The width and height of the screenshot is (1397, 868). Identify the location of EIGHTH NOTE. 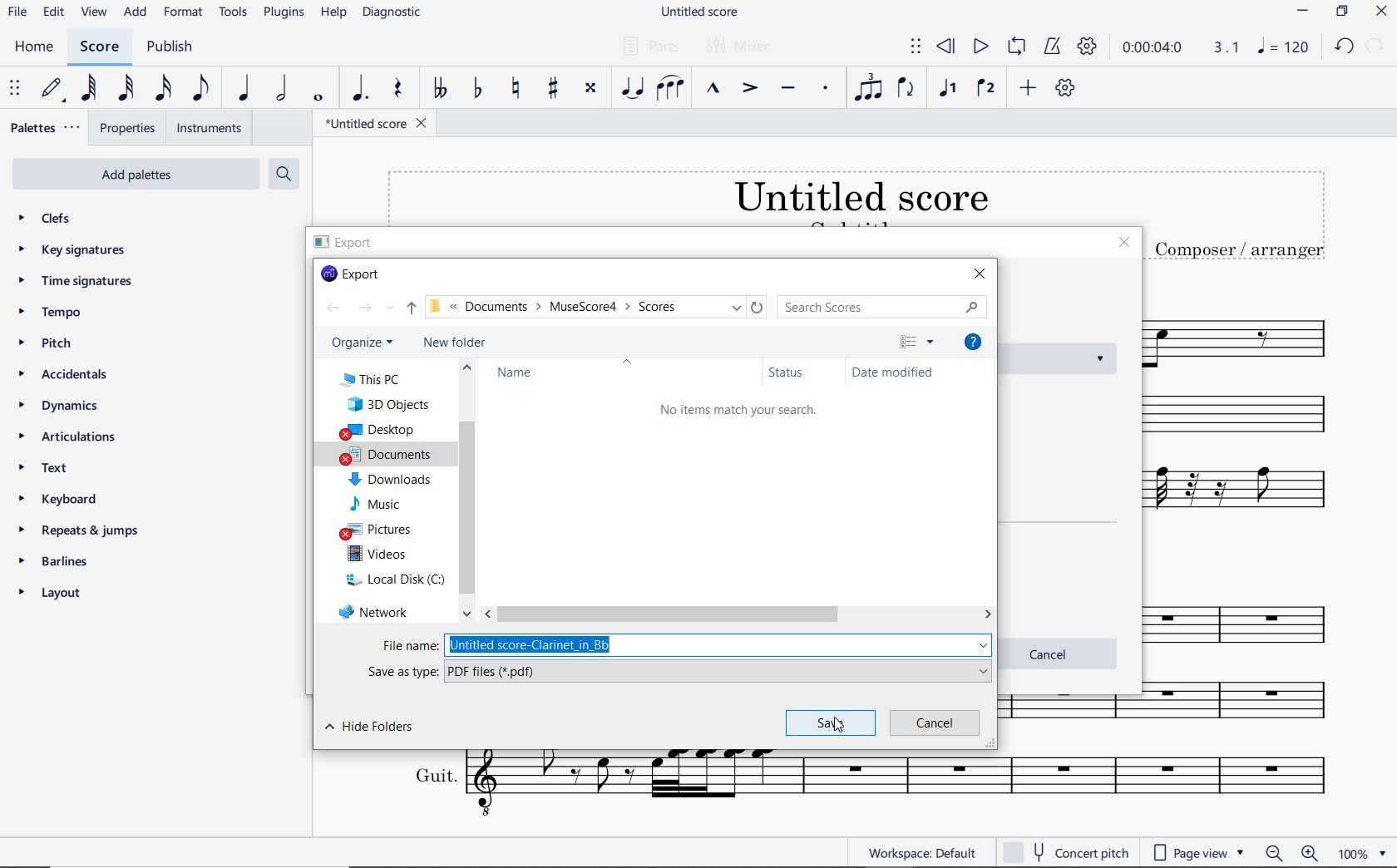
(201, 91).